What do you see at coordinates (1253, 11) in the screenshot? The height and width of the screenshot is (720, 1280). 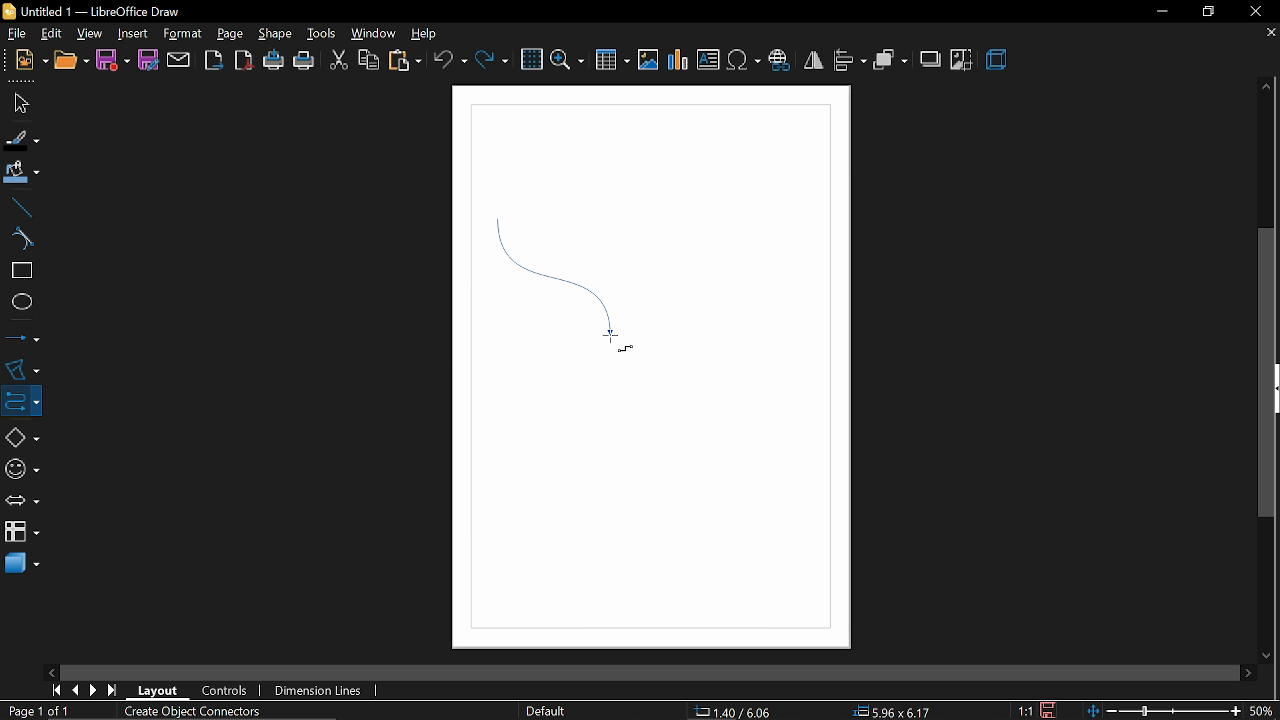 I see `close` at bounding box center [1253, 11].